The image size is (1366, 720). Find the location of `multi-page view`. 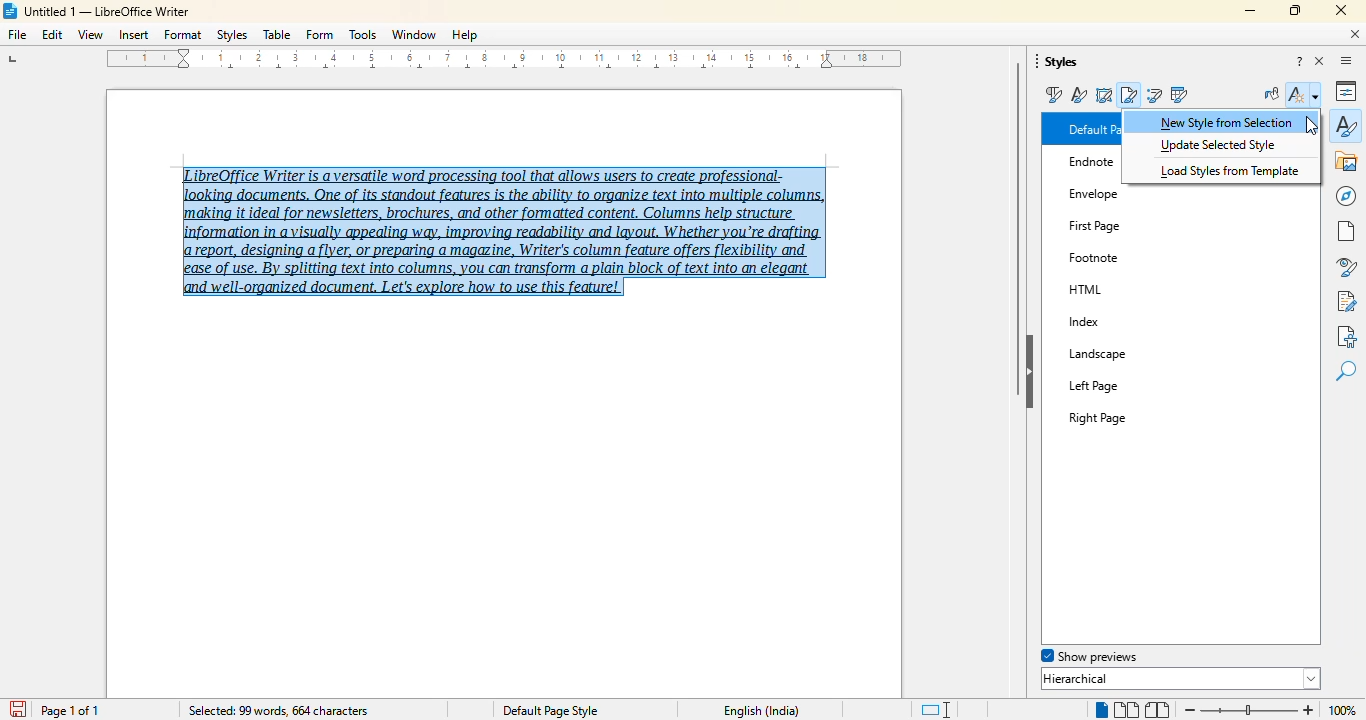

multi-page view is located at coordinates (1125, 709).